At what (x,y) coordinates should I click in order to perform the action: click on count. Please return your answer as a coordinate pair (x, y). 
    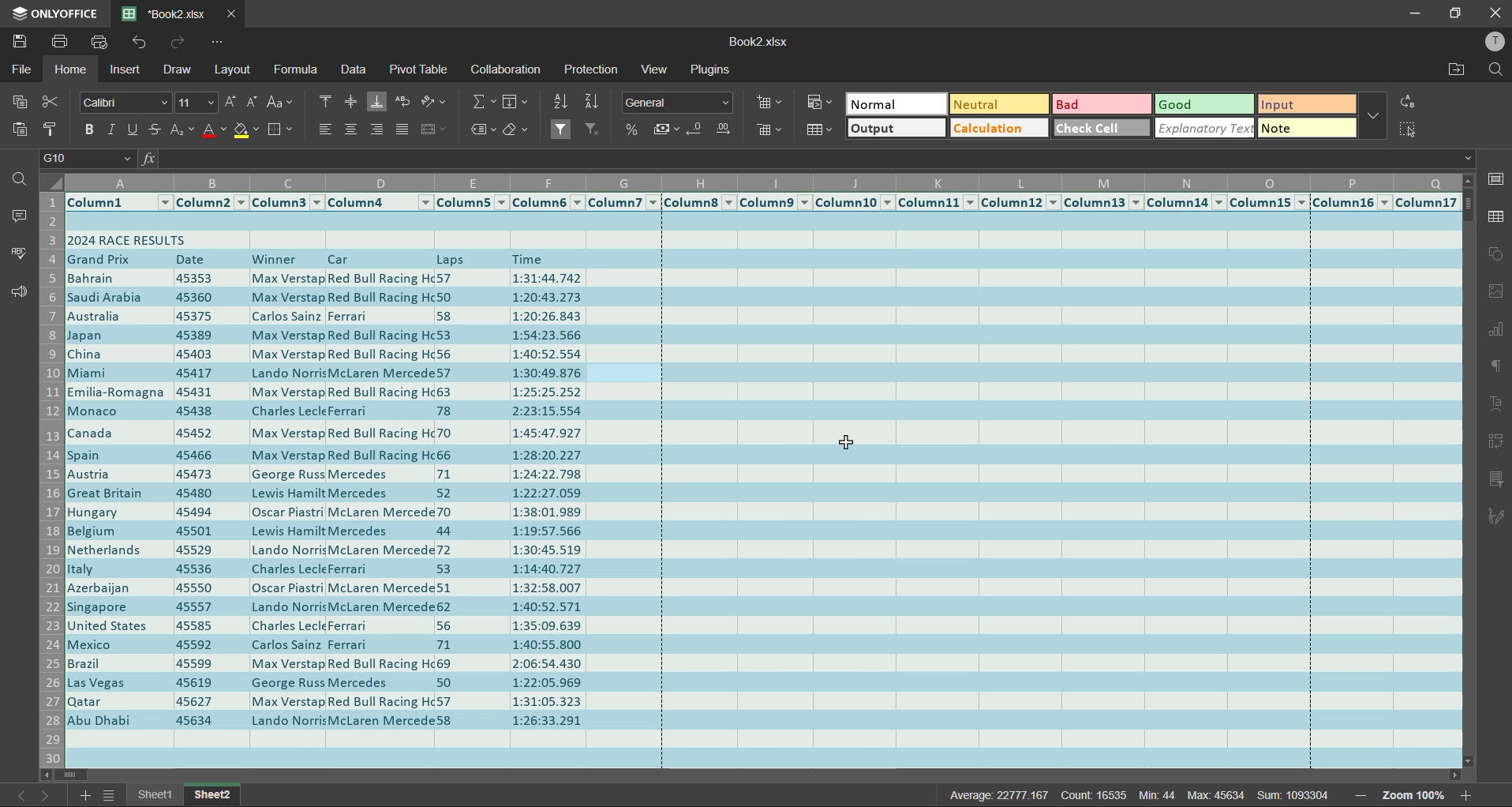
    Looking at the image, I should click on (1102, 794).